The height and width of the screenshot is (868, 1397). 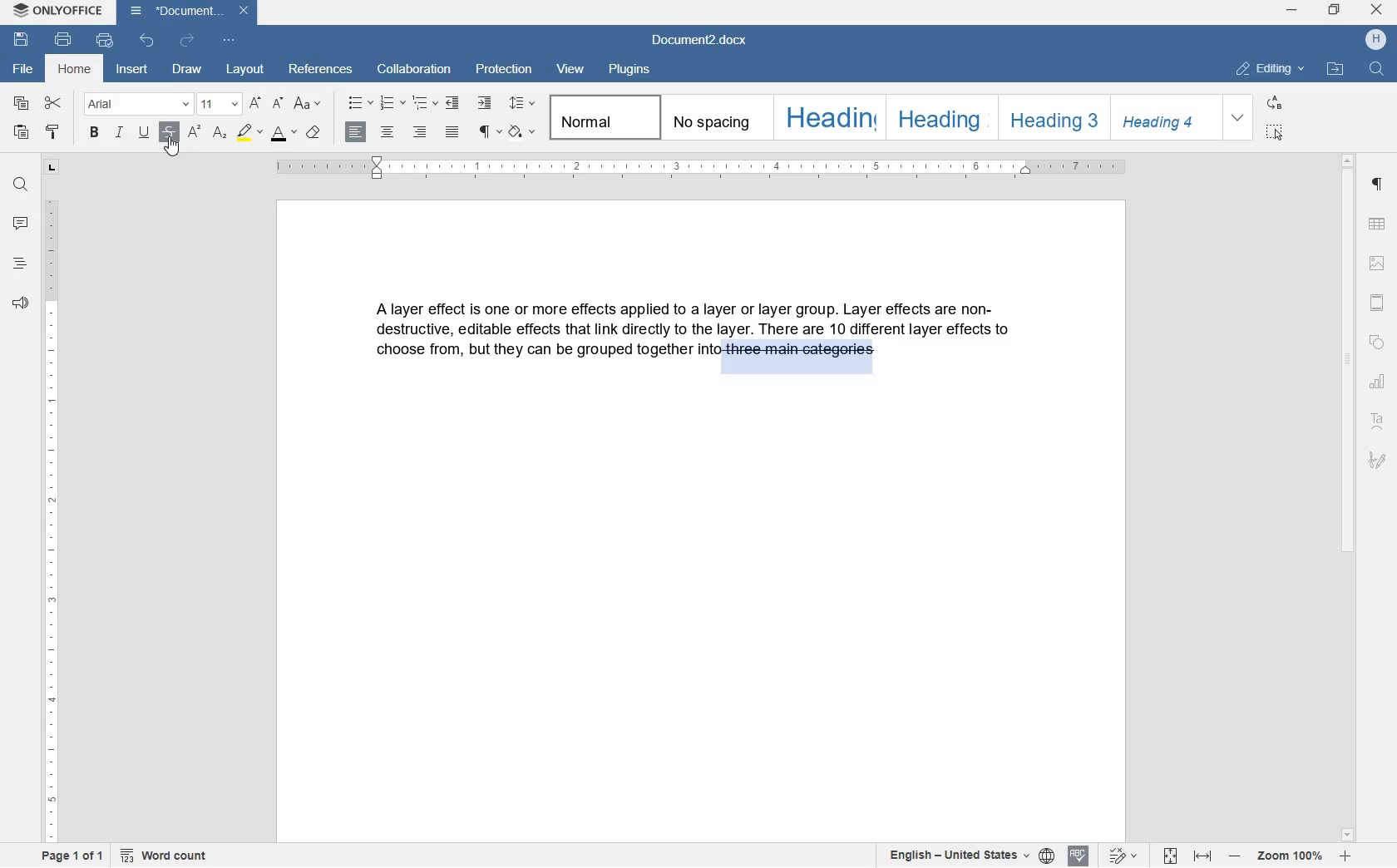 What do you see at coordinates (1274, 131) in the screenshot?
I see `select all ` at bounding box center [1274, 131].